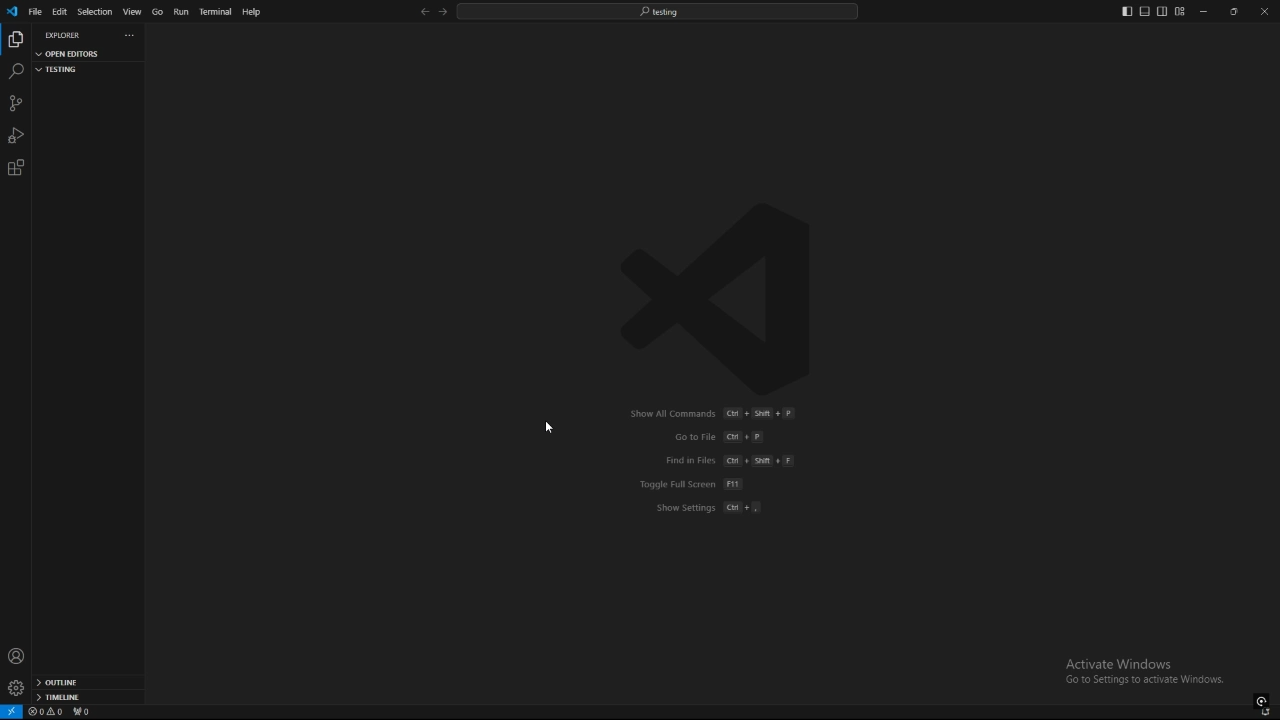 The height and width of the screenshot is (720, 1280). What do you see at coordinates (443, 13) in the screenshot?
I see `forward` at bounding box center [443, 13].